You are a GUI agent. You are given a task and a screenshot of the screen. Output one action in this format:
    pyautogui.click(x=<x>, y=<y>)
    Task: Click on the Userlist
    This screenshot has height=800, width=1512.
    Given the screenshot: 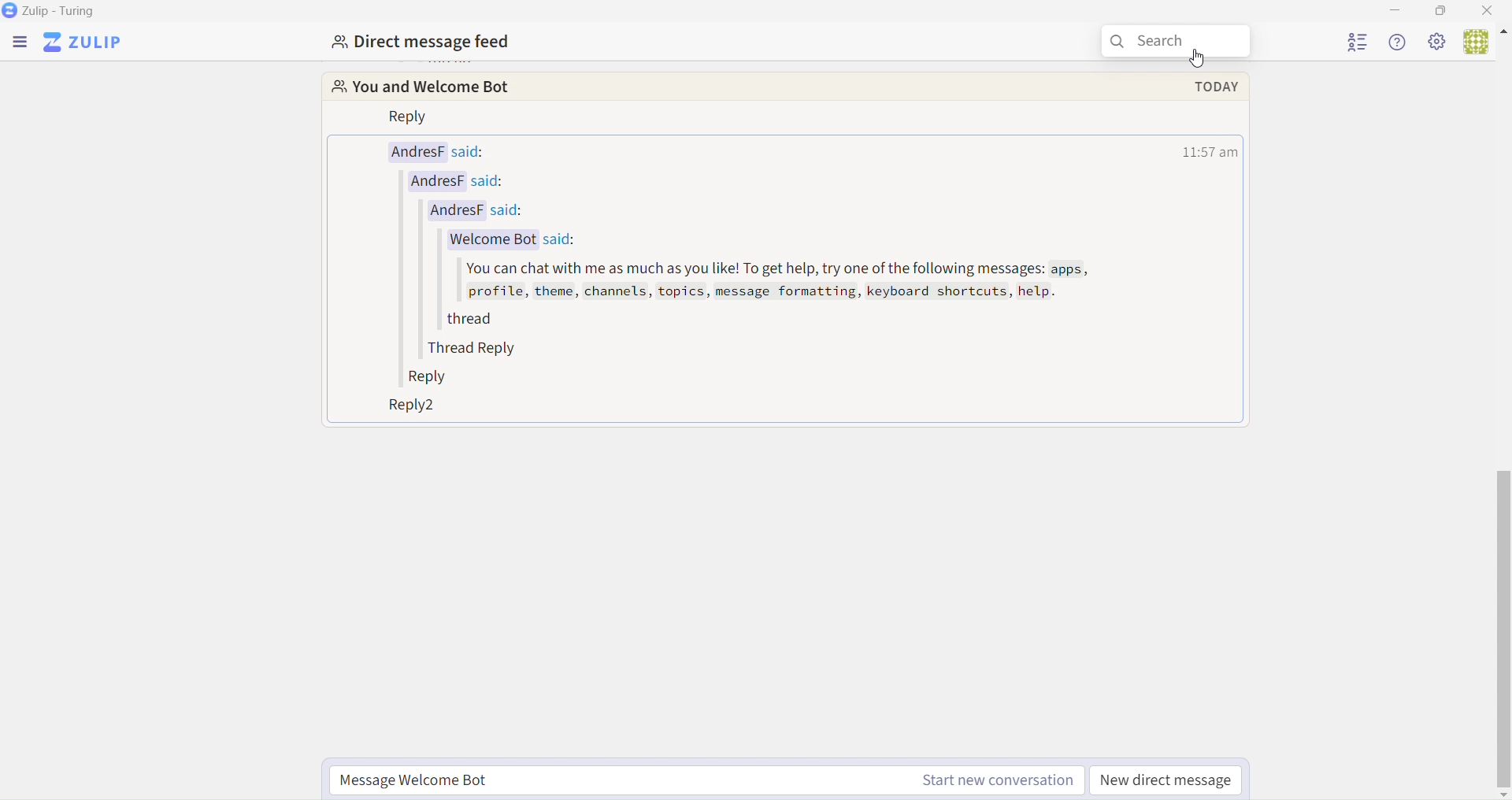 What is the action you would take?
    pyautogui.click(x=1359, y=41)
    